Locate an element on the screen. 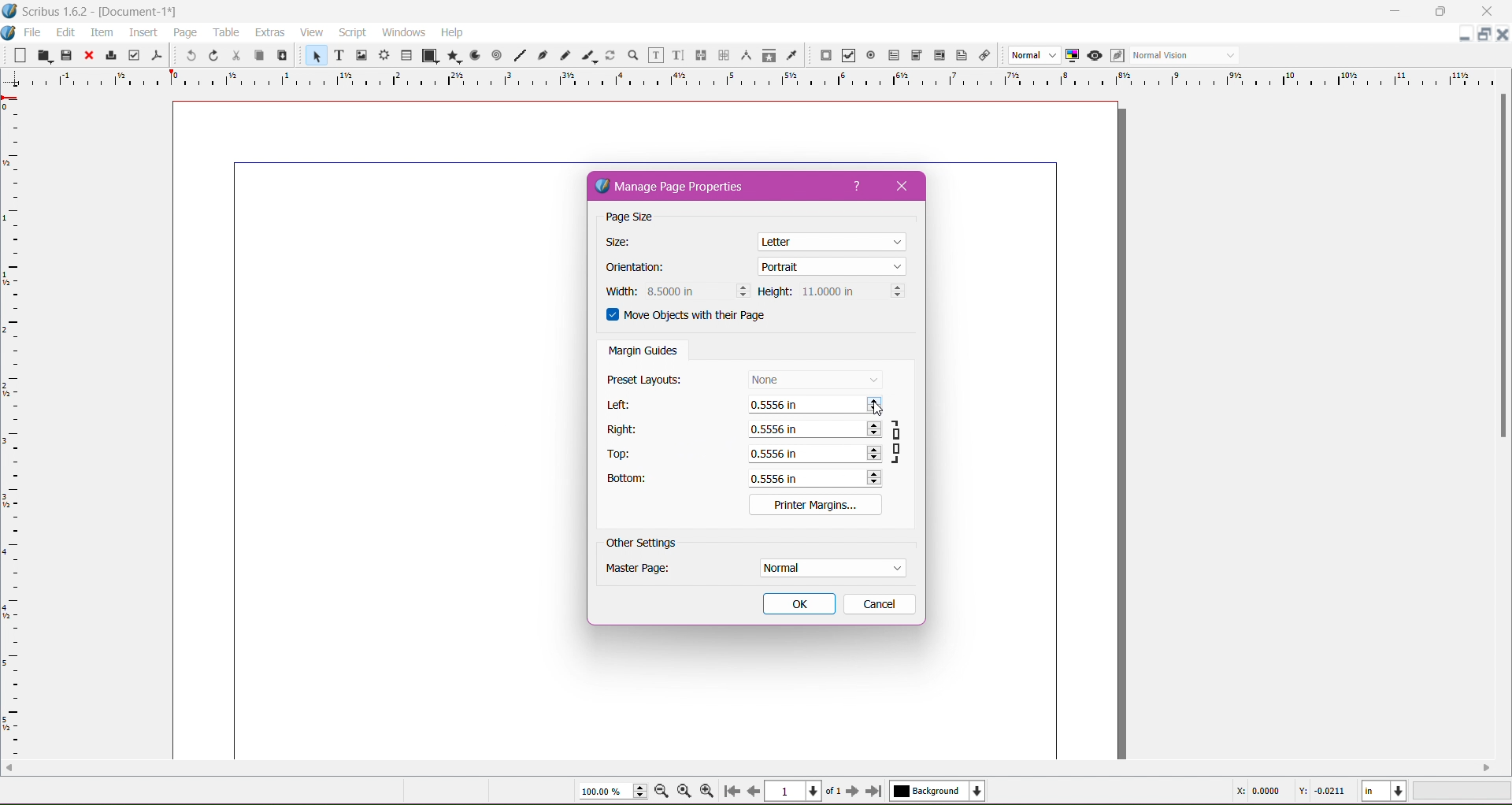 The height and width of the screenshot is (805, 1512). Set Page Size is located at coordinates (833, 240).